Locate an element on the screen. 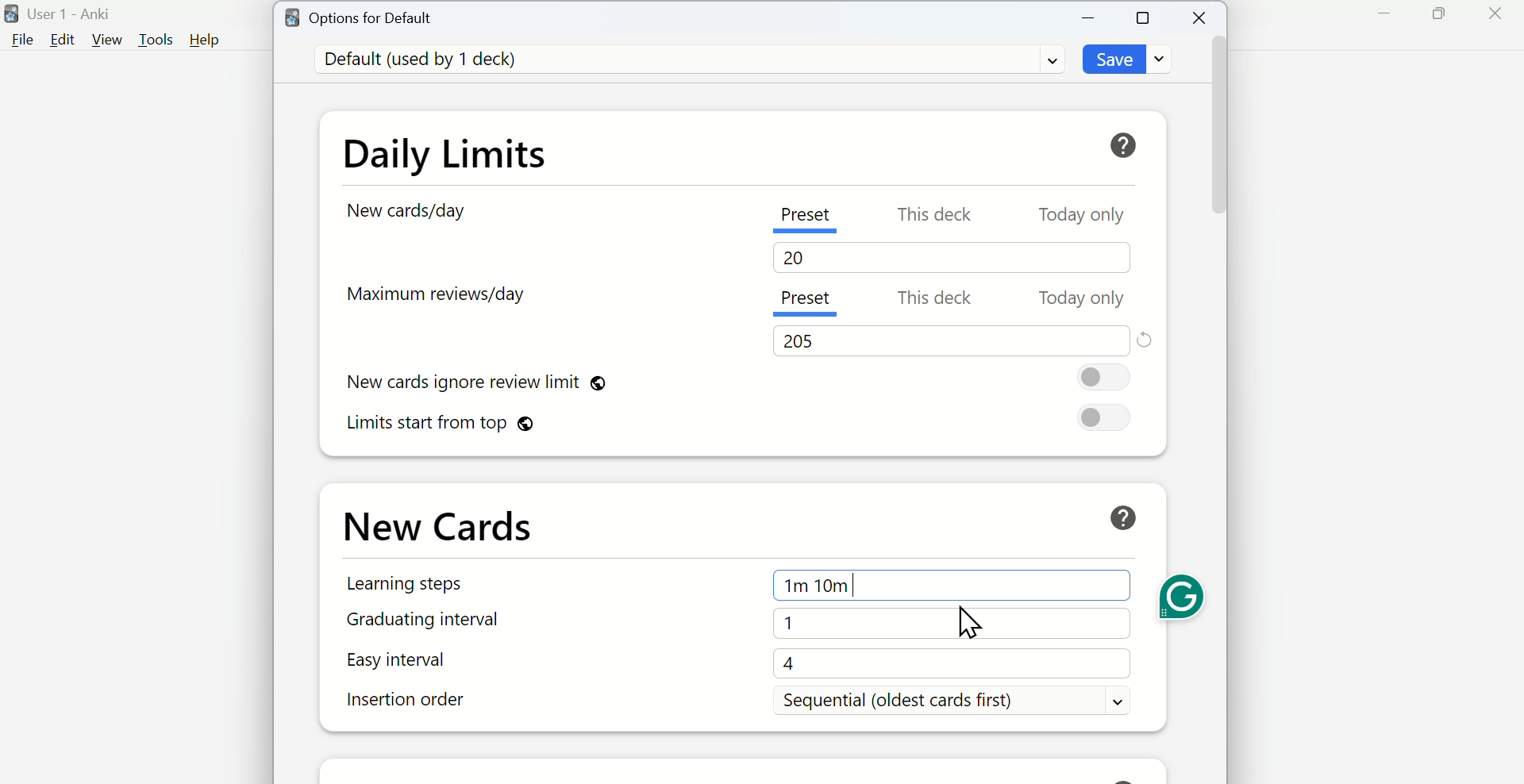 The height and width of the screenshot is (784, 1524). Help is located at coordinates (202, 40).